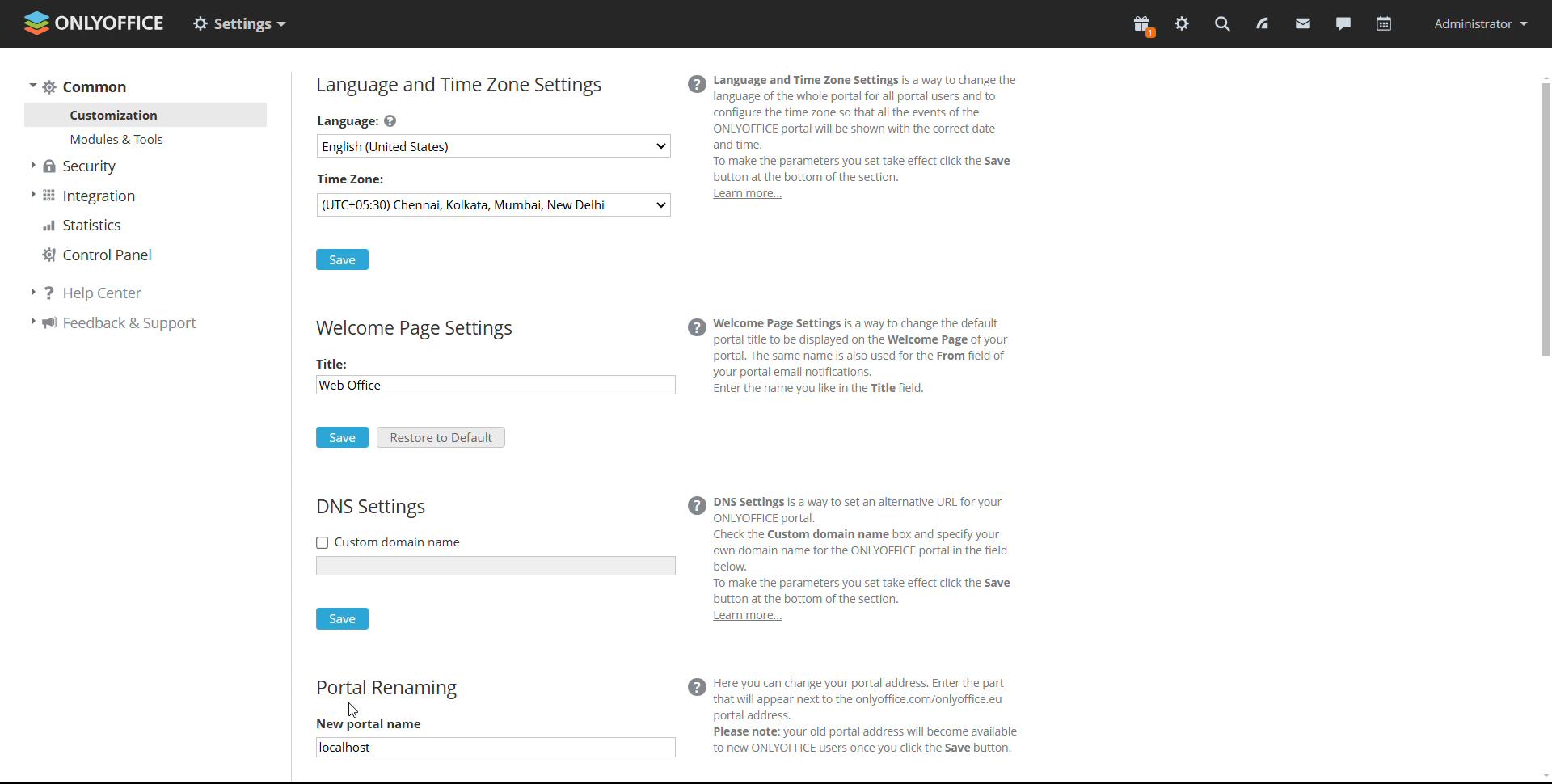 This screenshot has height=784, width=1552. What do you see at coordinates (362, 120) in the screenshot?
I see `Language:` at bounding box center [362, 120].